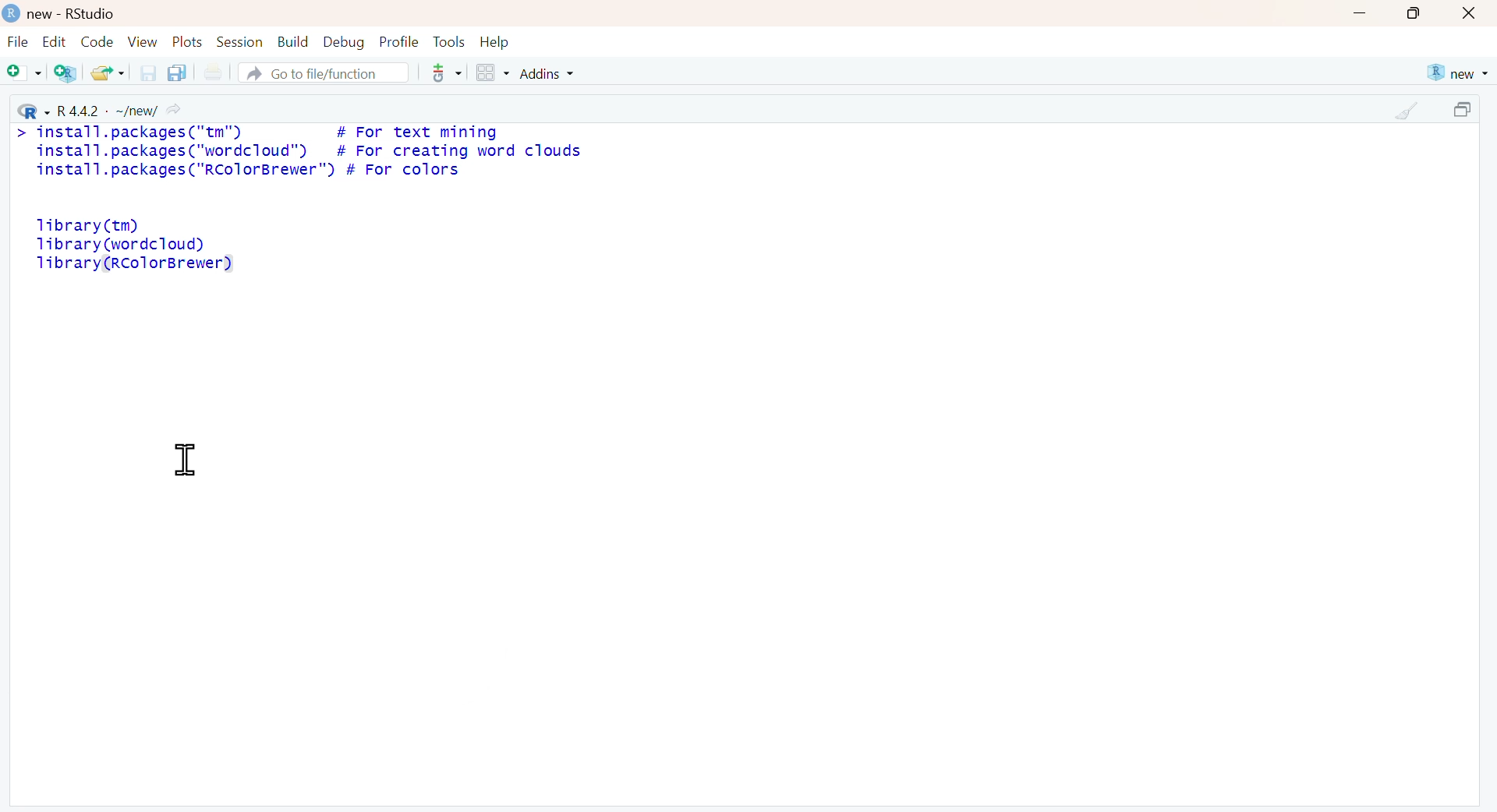 The height and width of the screenshot is (812, 1497). I want to click on File, so click(18, 43).